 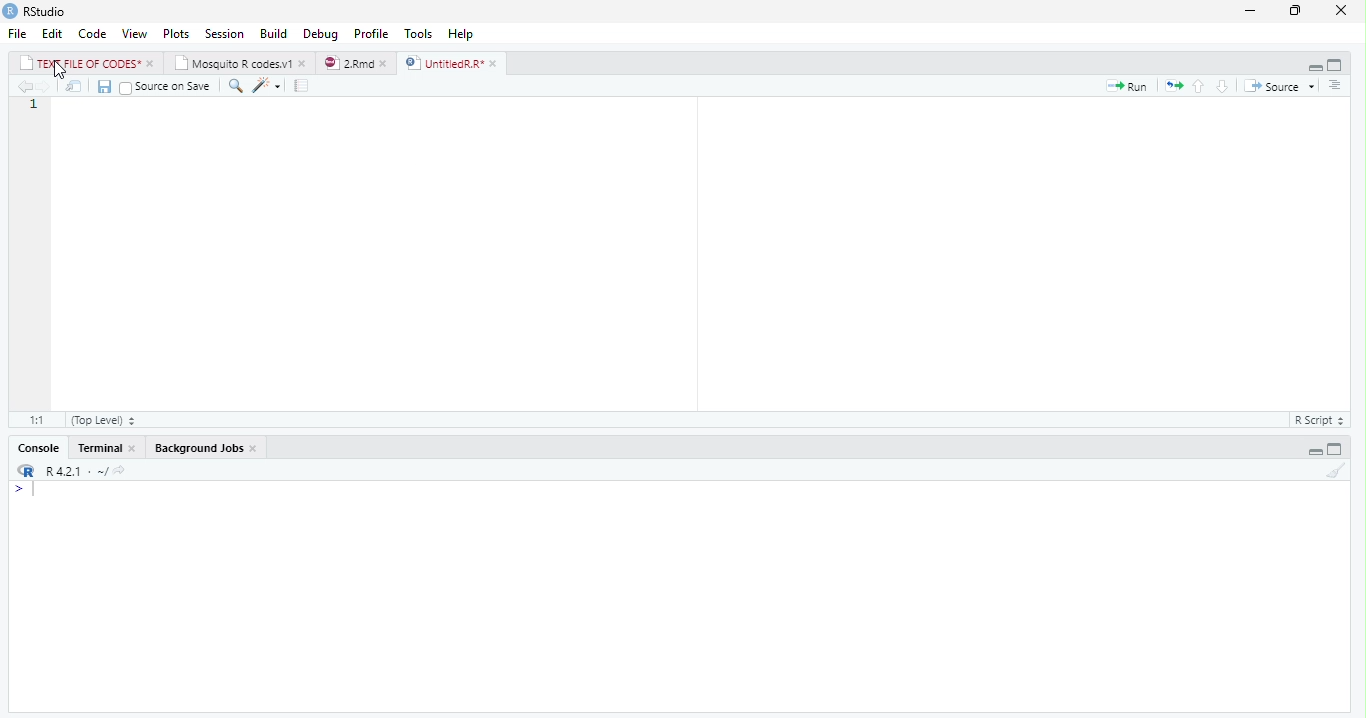 What do you see at coordinates (36, 11) in the screenshot?
I see `RStudio` at bounding box center [36, 11].